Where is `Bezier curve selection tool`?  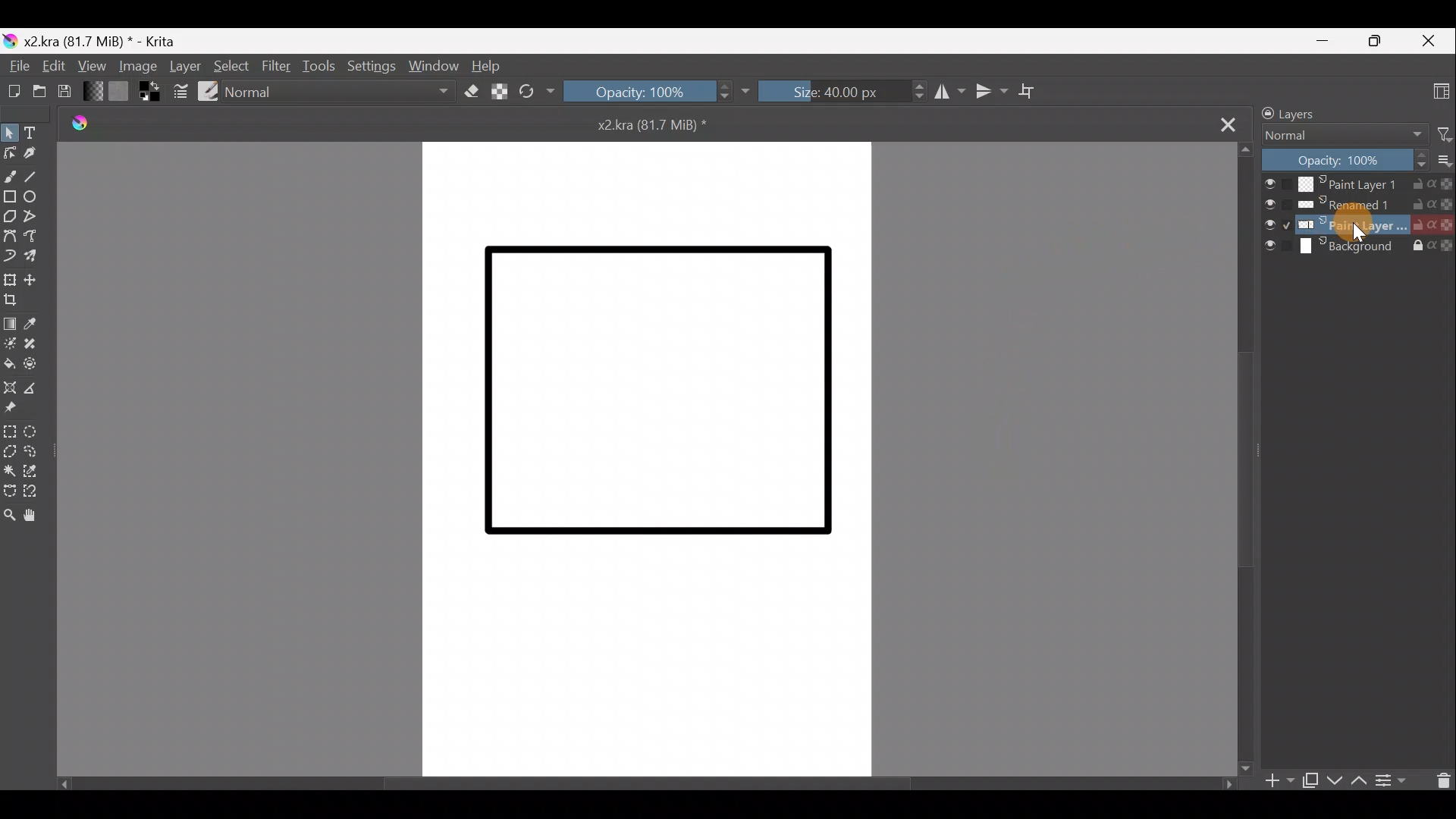 Bezier curve selection tool is located at coordinates (9, 488).